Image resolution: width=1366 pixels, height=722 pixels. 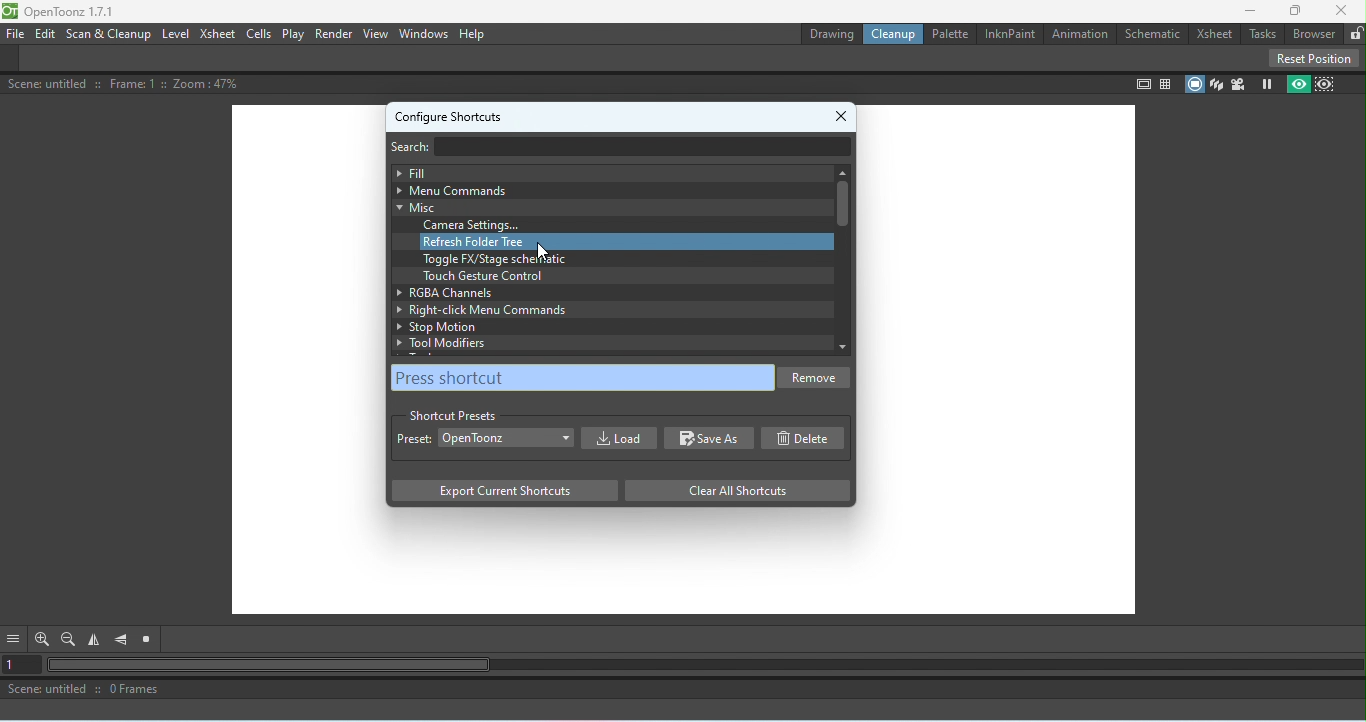 What do you see at coordinates (606, 172) in the screenshot?
I see `Fill` at bounding box center [606, 172].